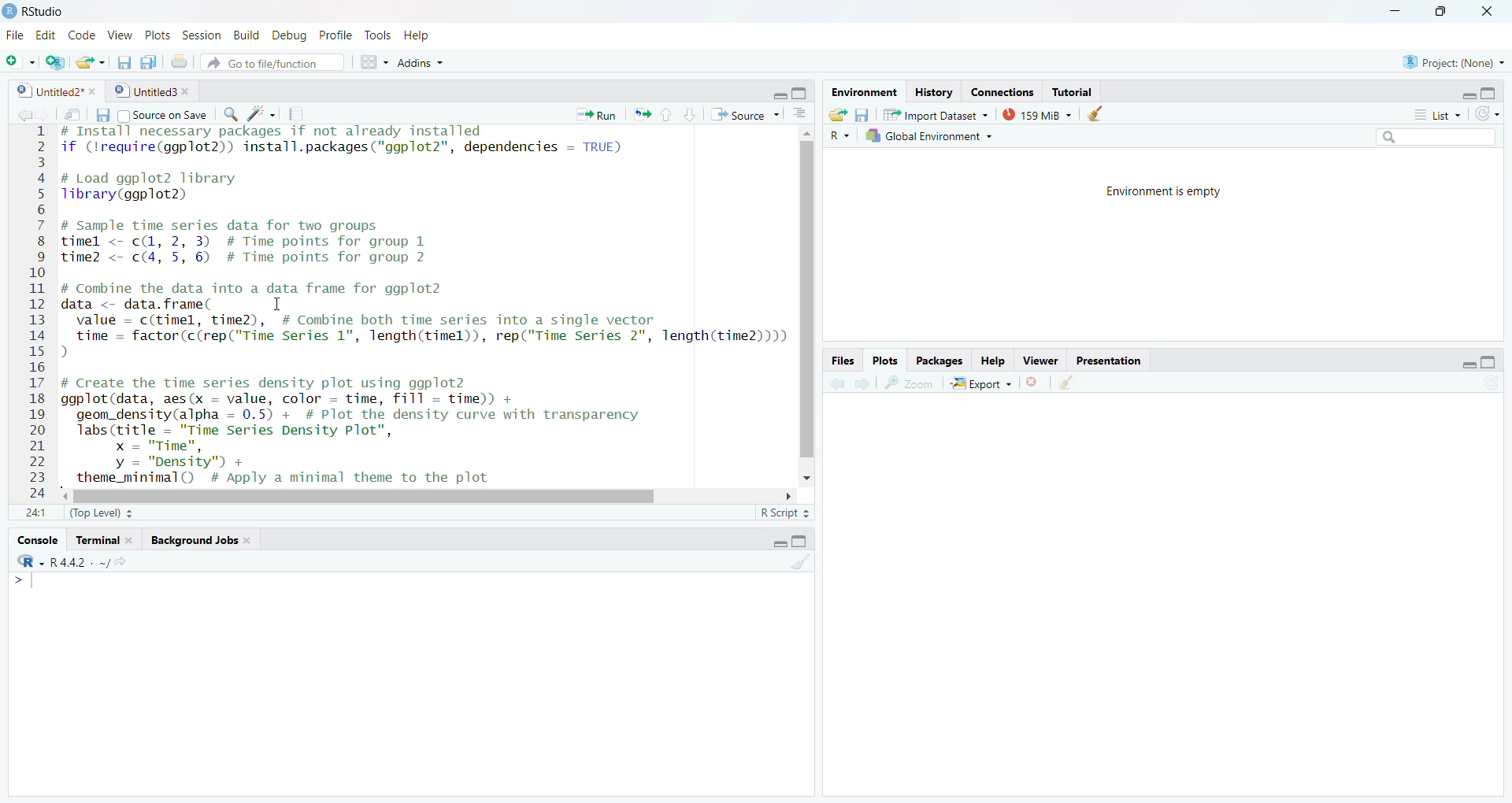 This screenshot has width=1512, height=803. I want to click on Code, so click(83, 35).